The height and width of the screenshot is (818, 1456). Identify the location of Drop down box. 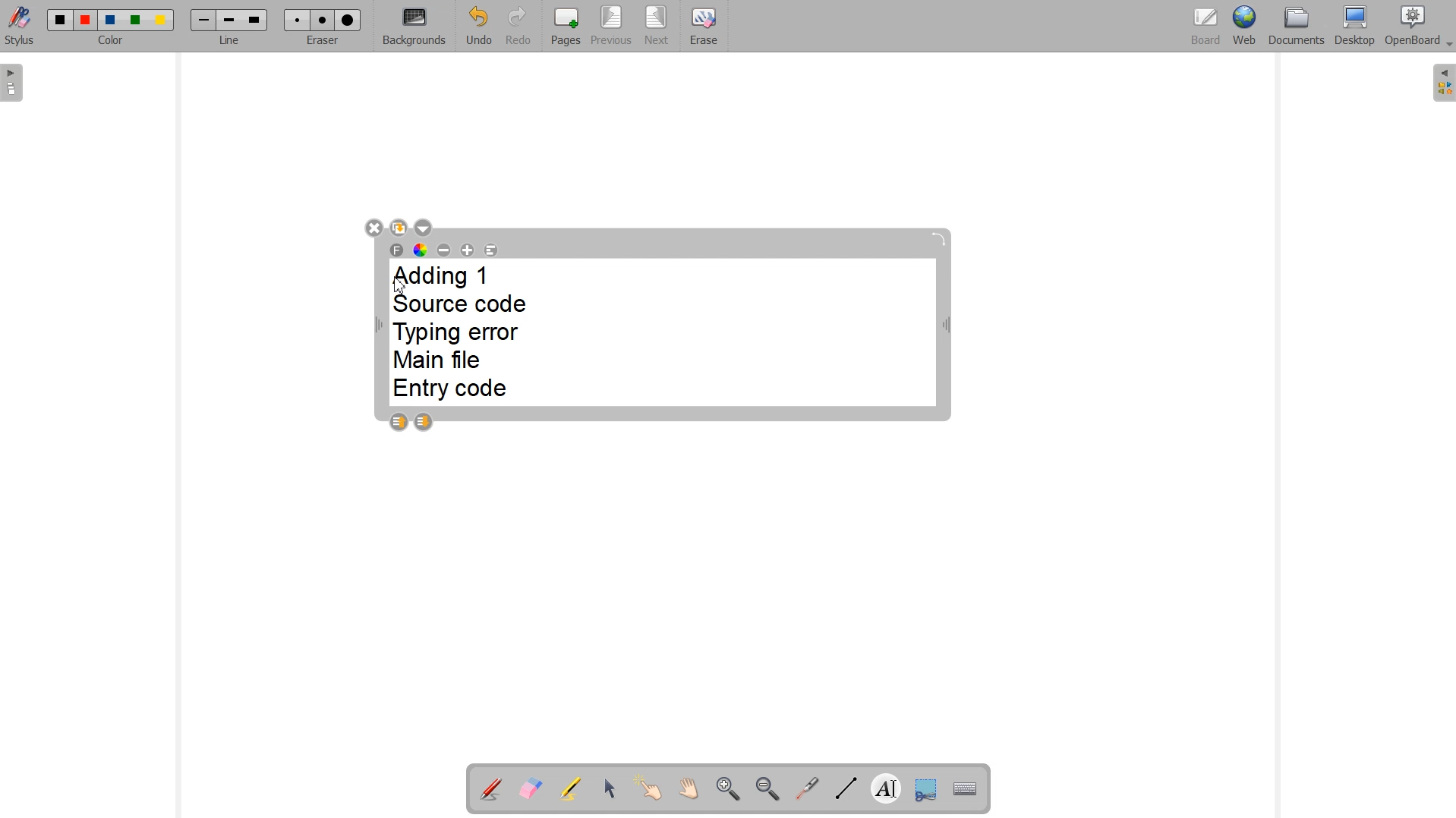
(425, 228).